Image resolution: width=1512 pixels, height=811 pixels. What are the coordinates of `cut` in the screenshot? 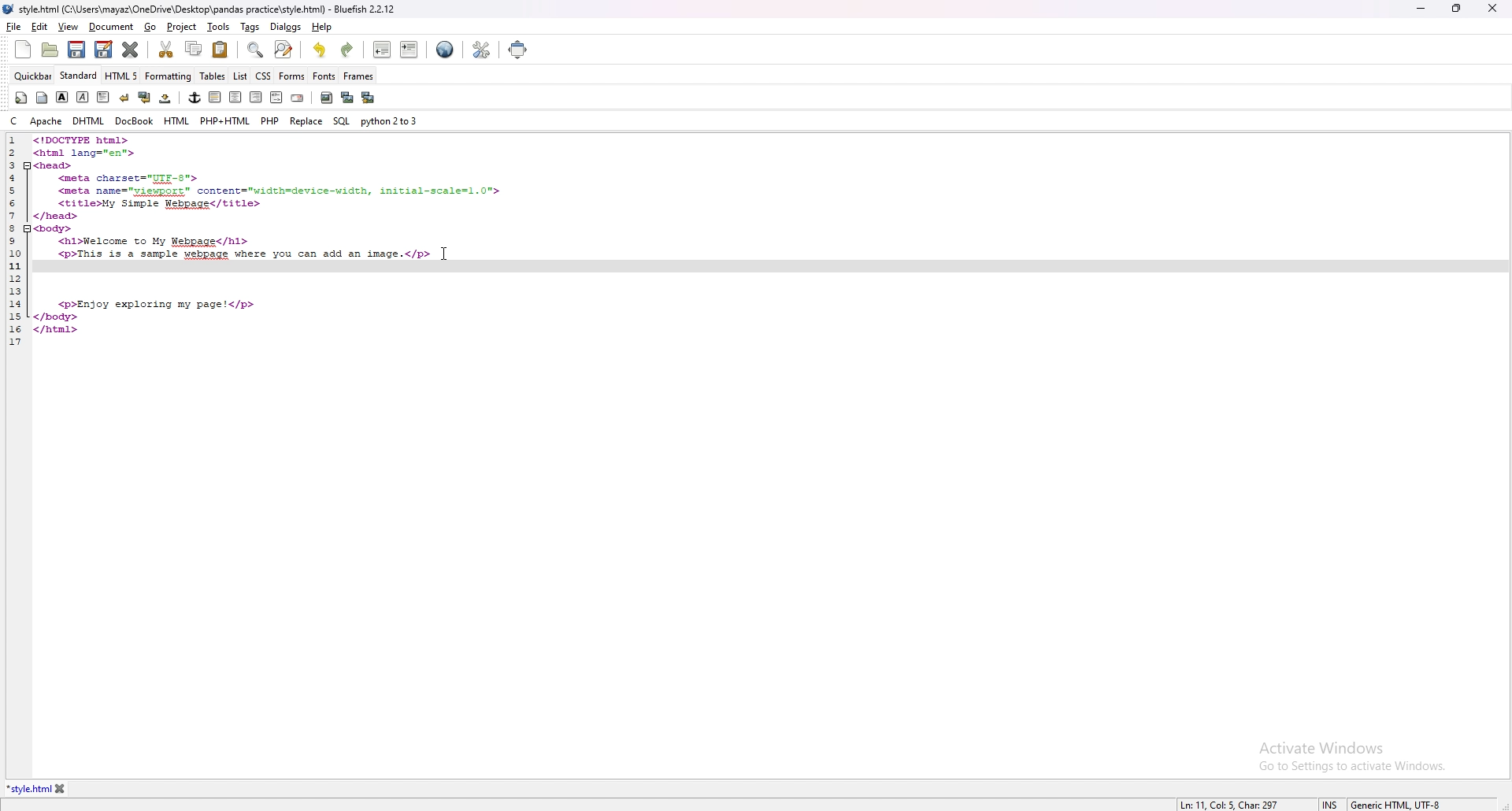 It's located at (165, 50).